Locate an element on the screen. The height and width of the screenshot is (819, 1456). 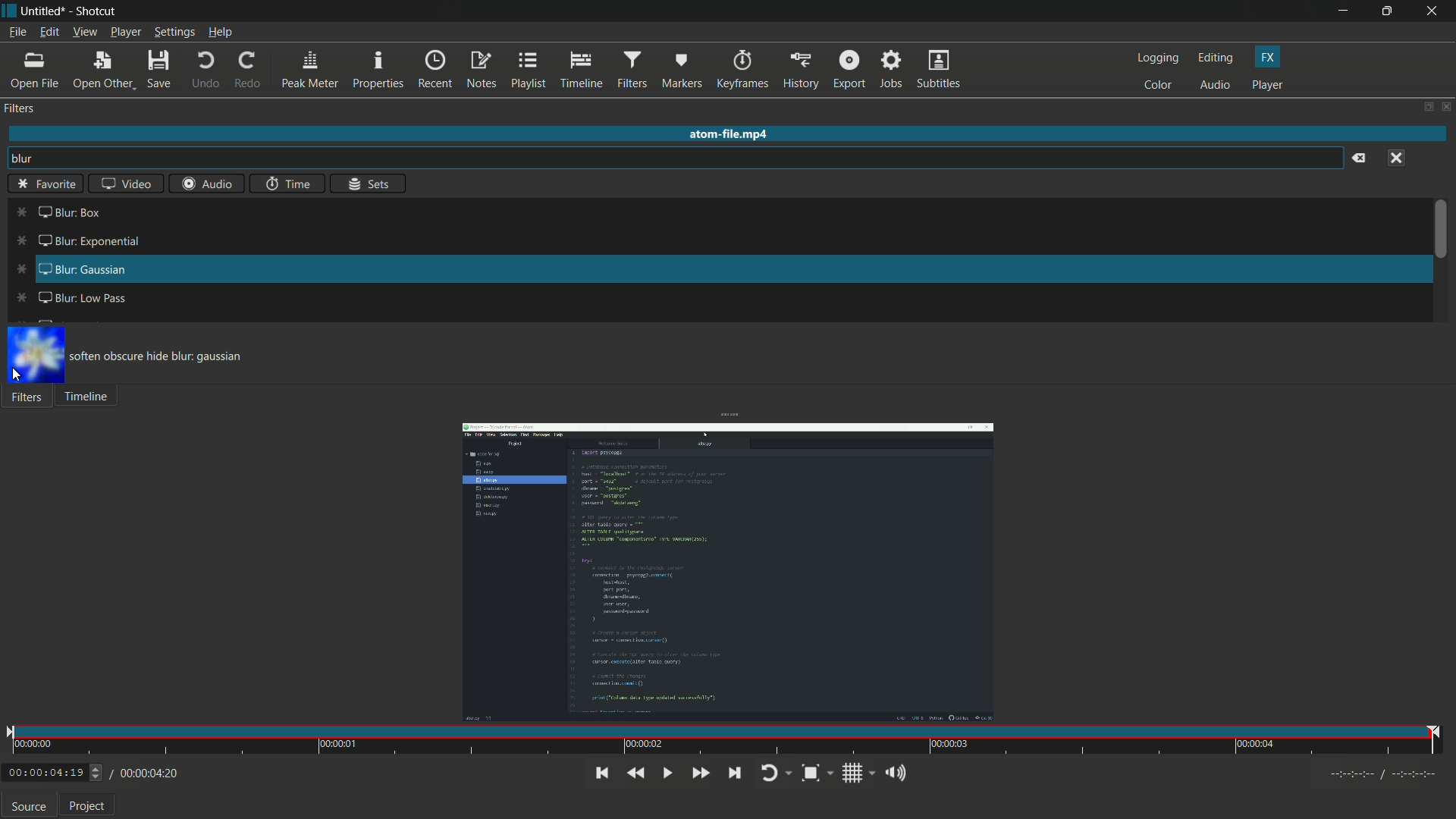
app name is located at coordinates (94, 13).